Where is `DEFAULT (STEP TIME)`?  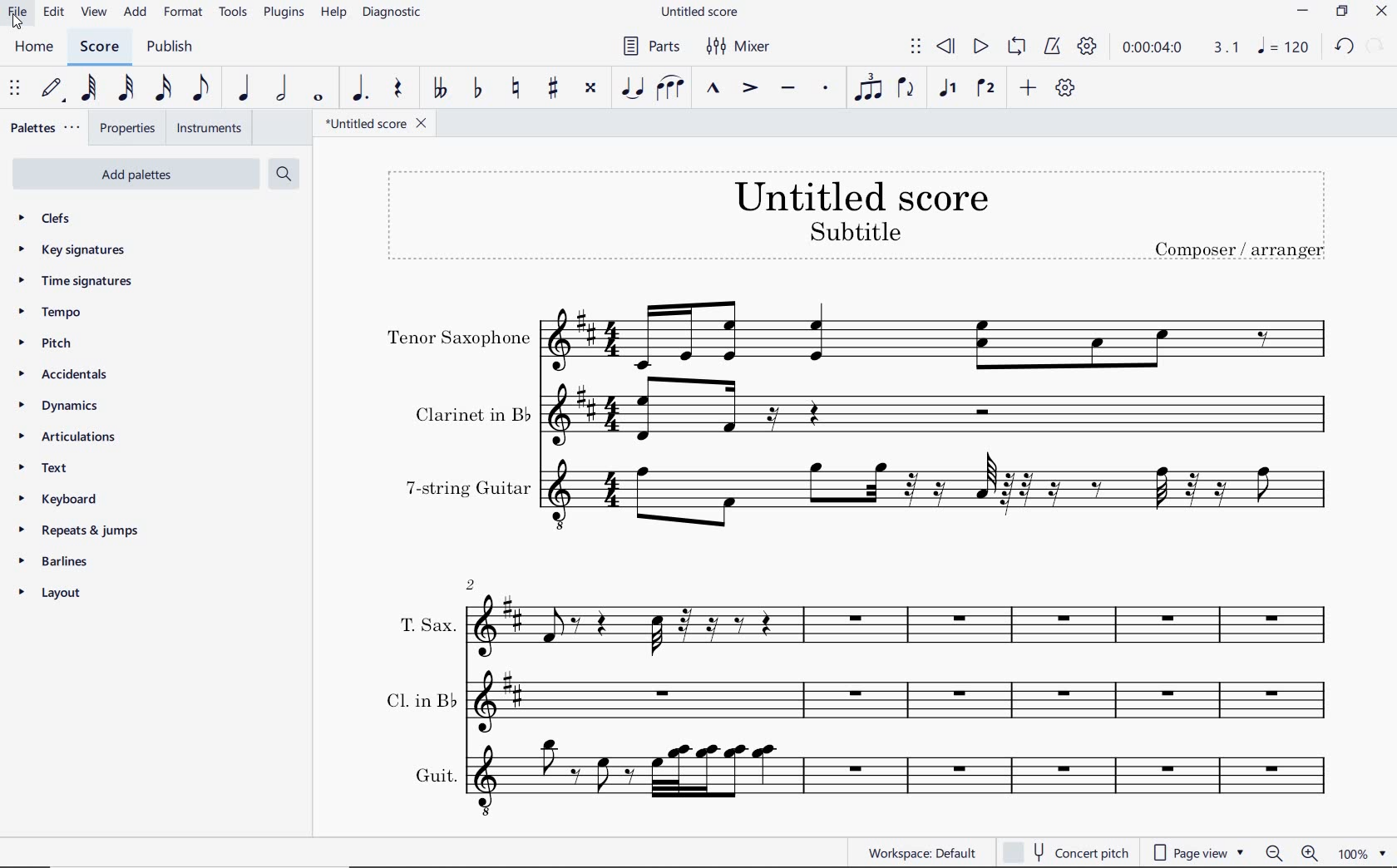
DEFAULT (STEP TIME) is located at coordinates (51, 89).